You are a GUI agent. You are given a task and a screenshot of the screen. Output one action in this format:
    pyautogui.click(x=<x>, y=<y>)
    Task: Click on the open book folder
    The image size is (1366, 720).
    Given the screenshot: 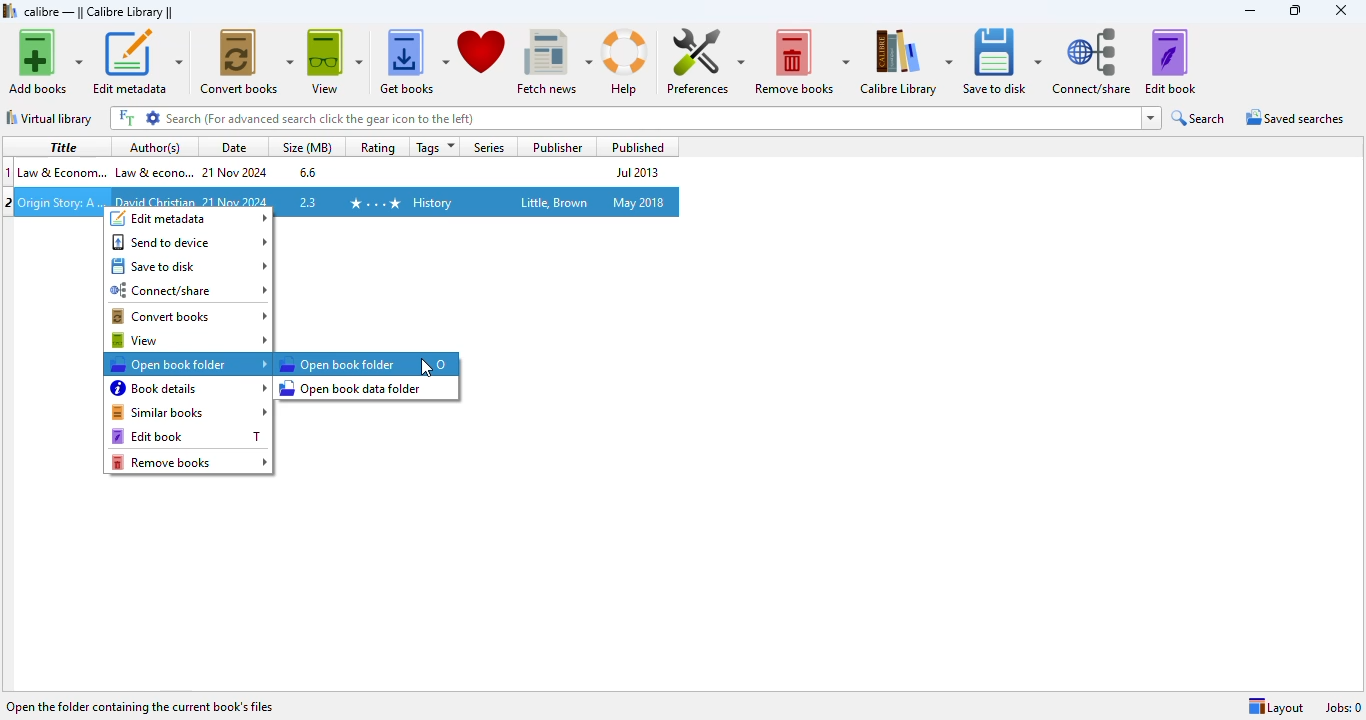 What is the action you would take?
    pyautogui.click(x=337, y=364)
    